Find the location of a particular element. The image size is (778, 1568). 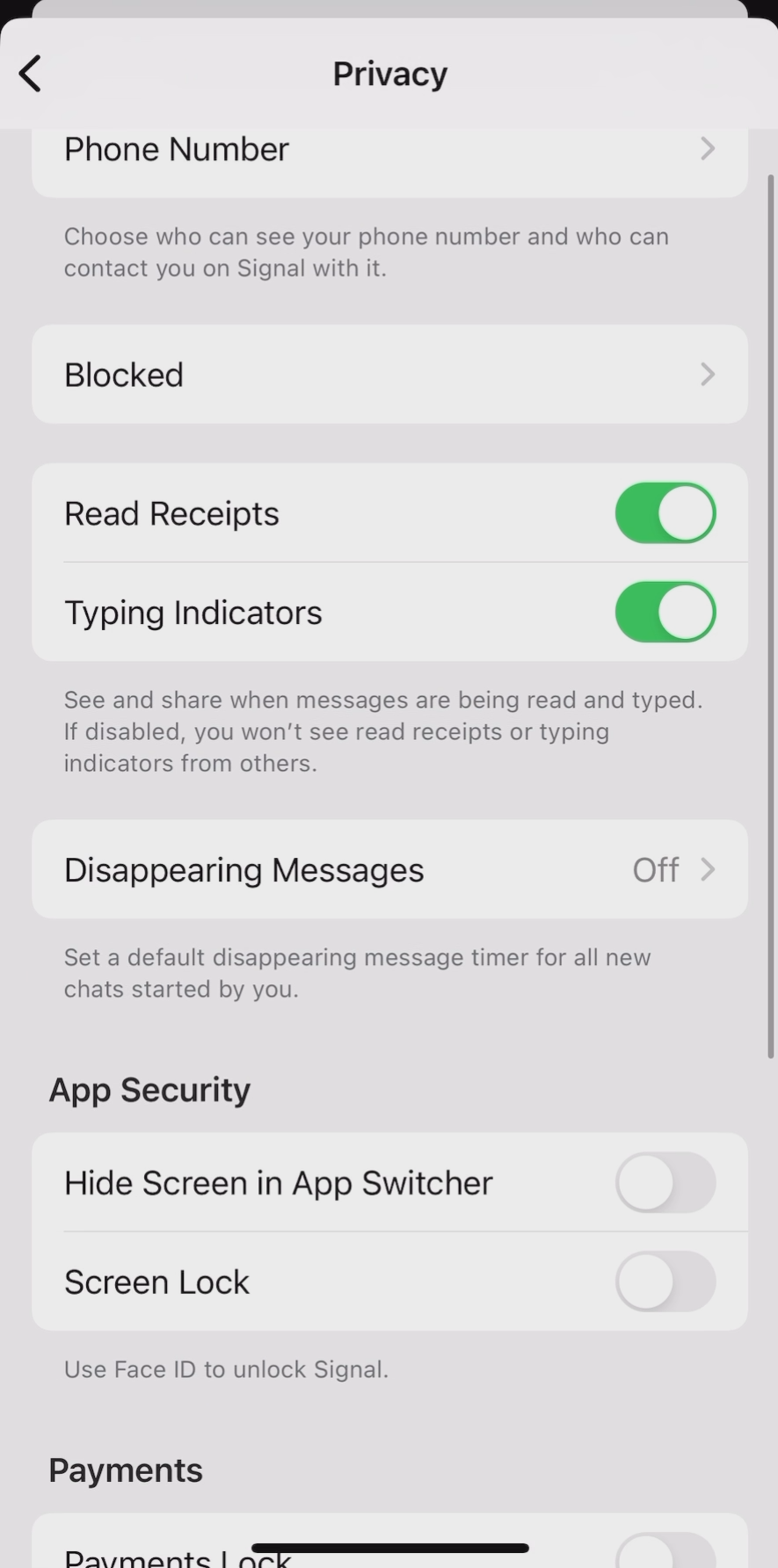

Privacy is located at coordinates (392, 74).